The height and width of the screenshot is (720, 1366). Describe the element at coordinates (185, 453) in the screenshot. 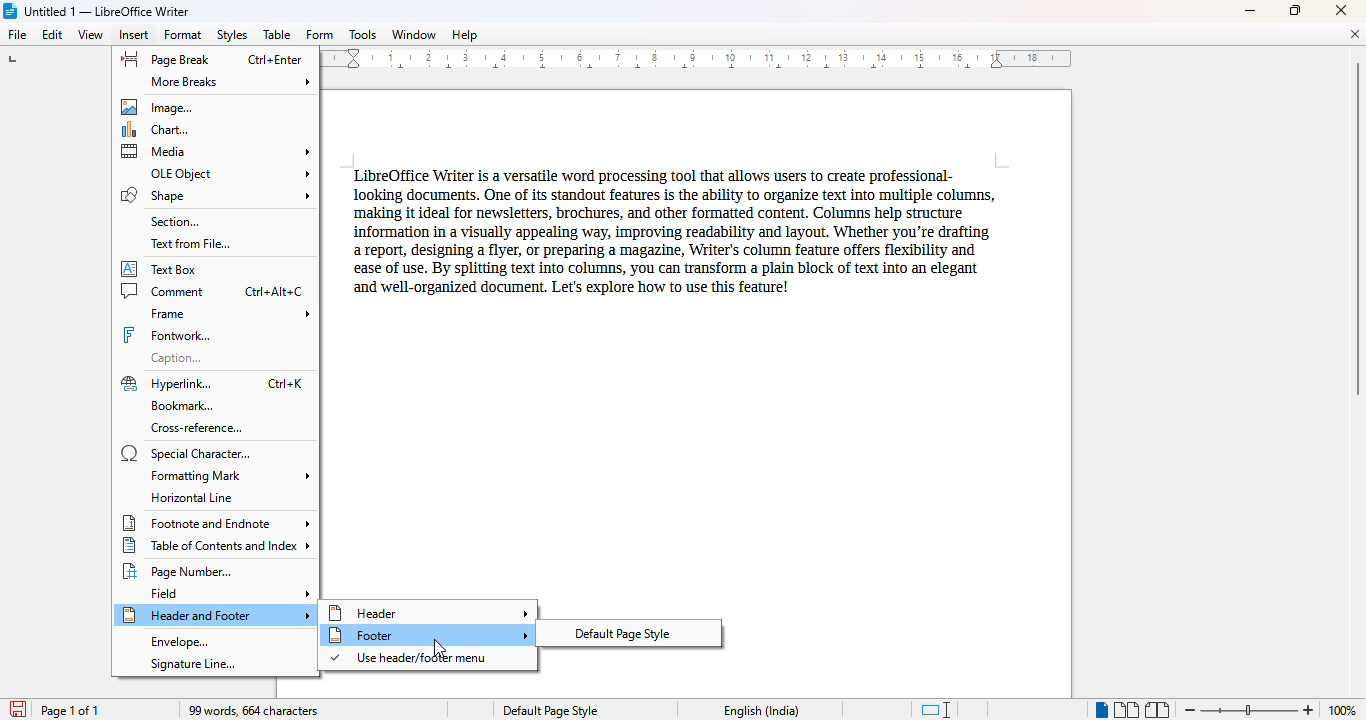

I see `special character` at that location.